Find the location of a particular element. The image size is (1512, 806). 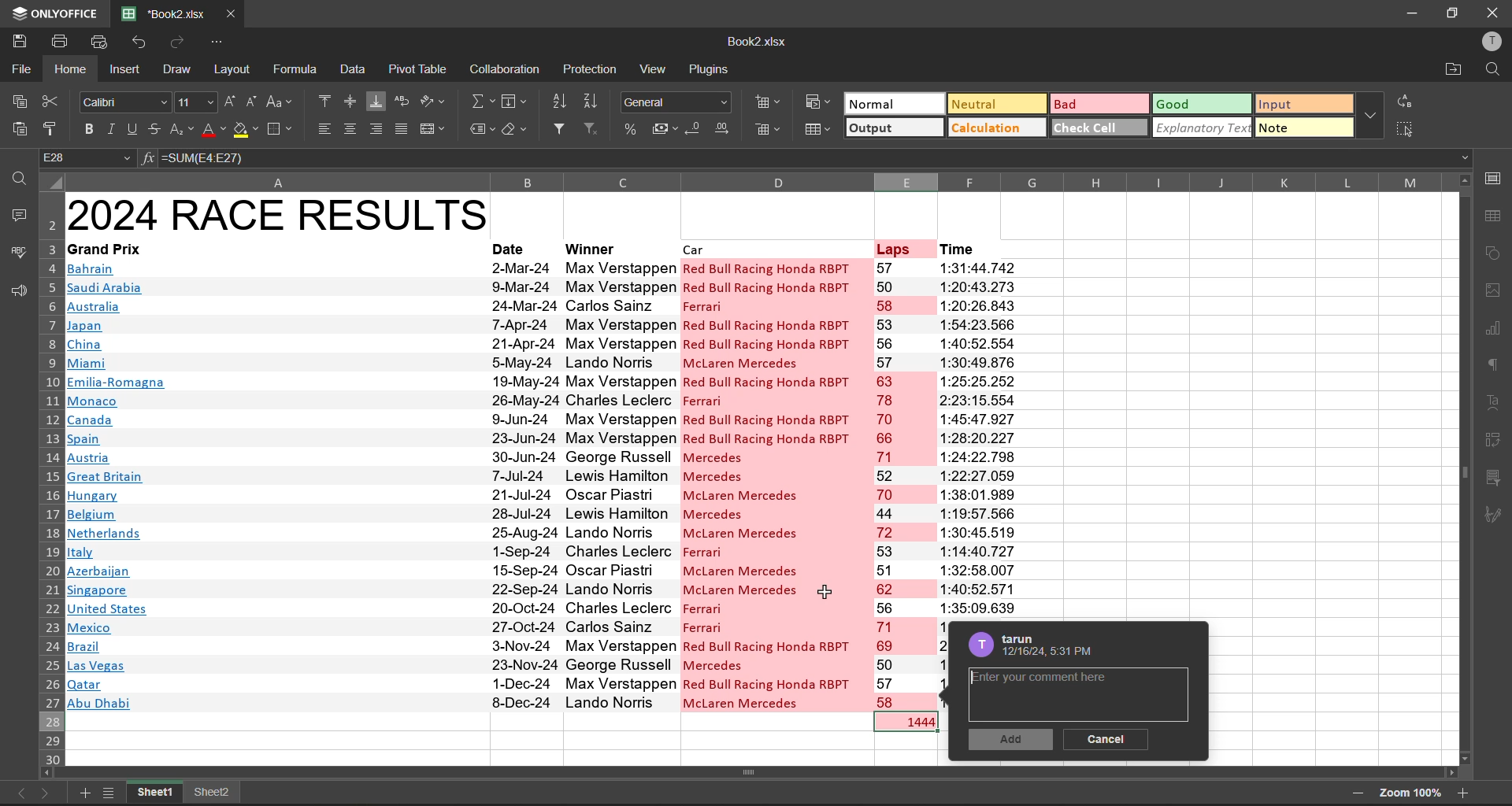

filename is located at coordinates (760, 43).